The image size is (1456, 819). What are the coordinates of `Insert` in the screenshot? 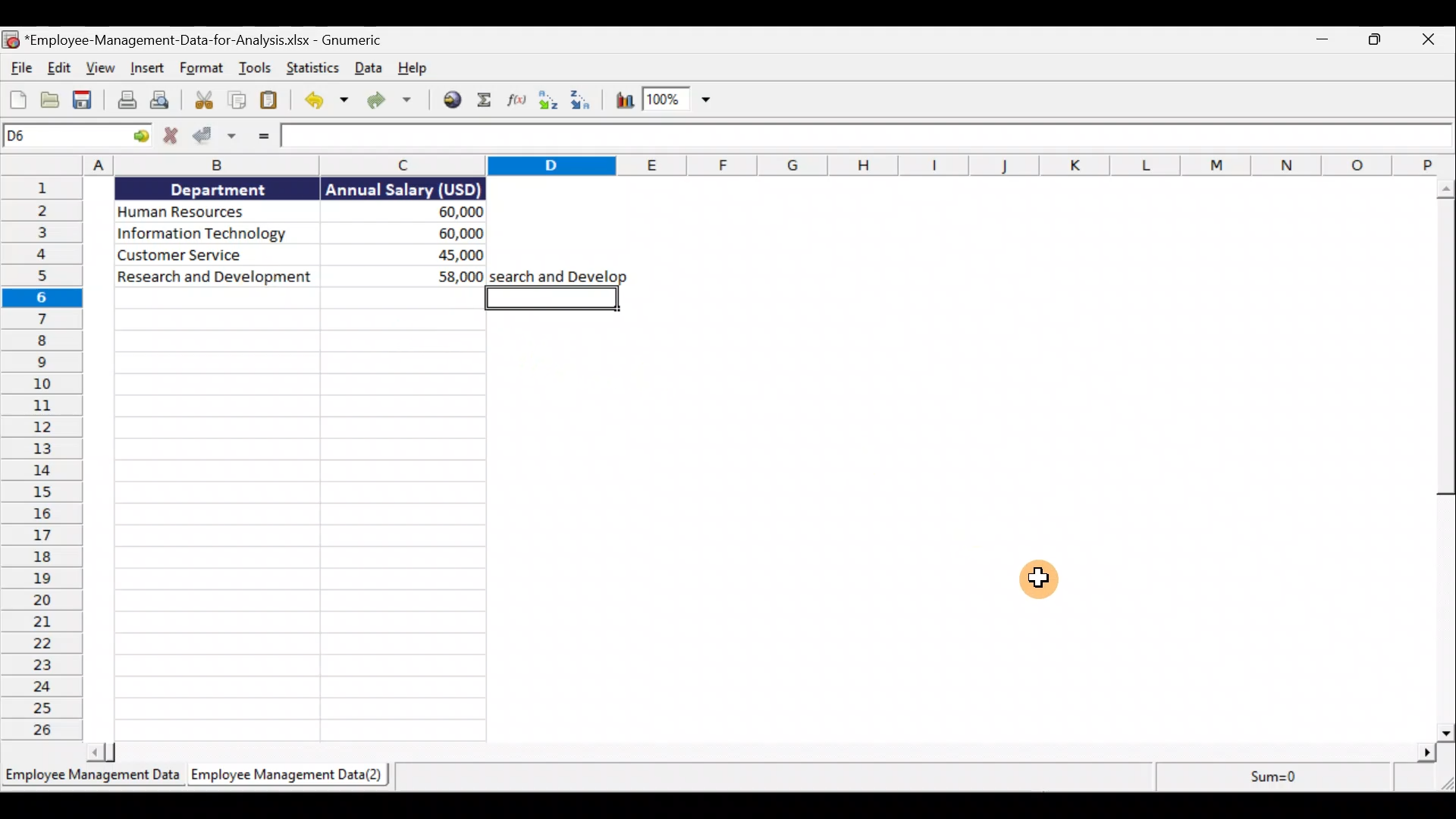 It's located at (149, 68).